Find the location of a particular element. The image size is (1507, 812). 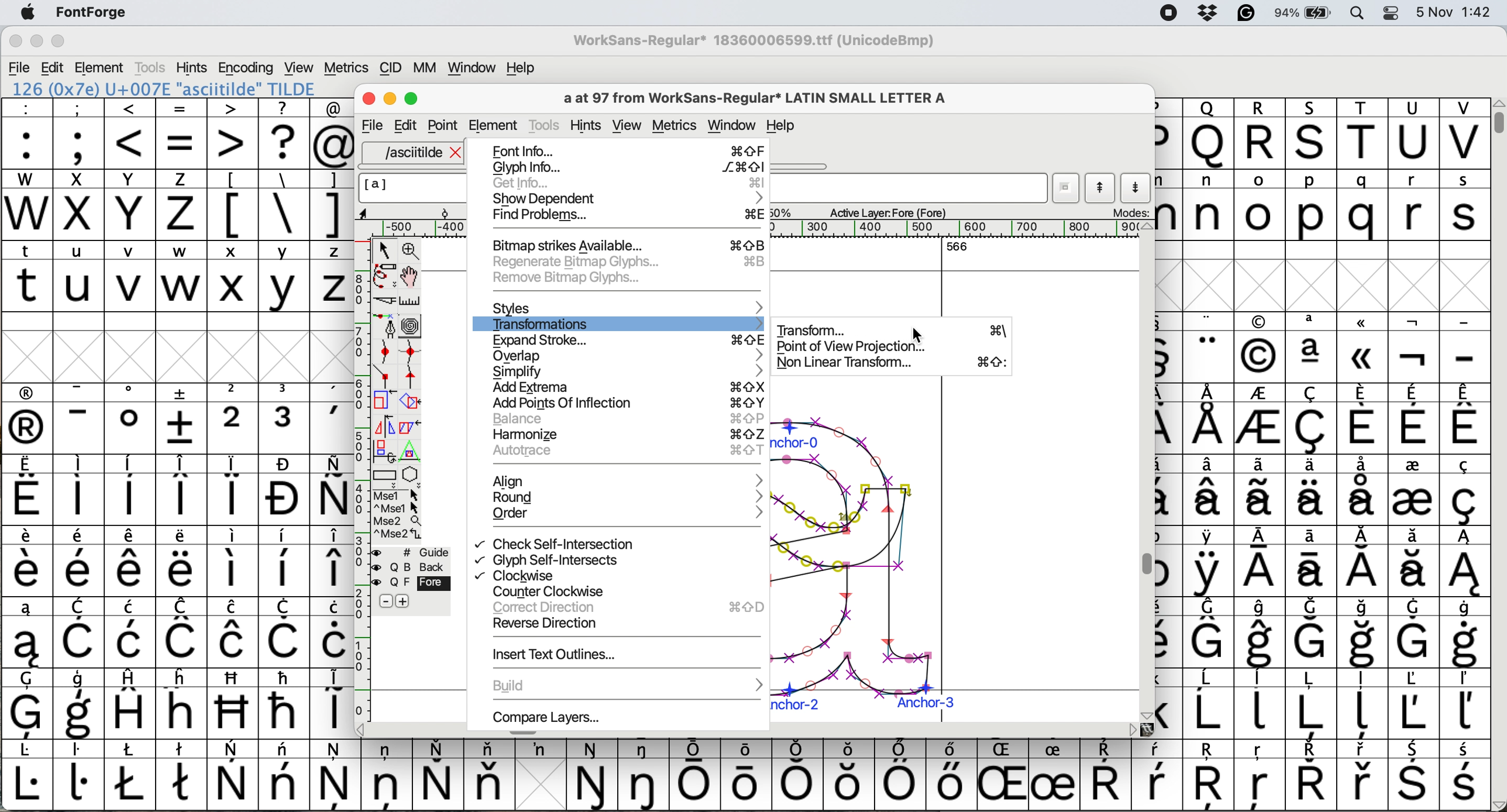

< is located at coordinates (130, 133).